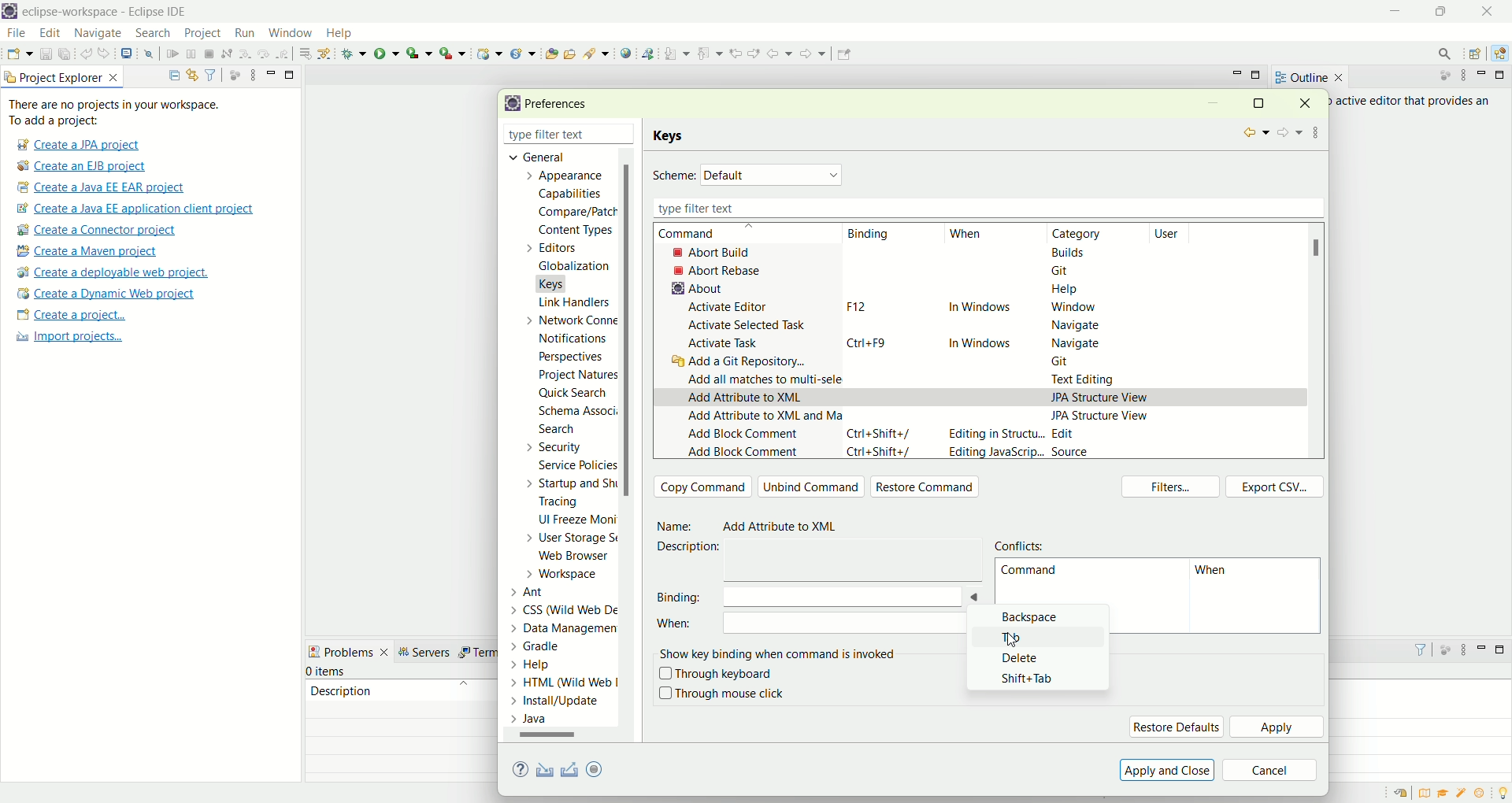  I want to click on create a connector project, so click(94, 231).